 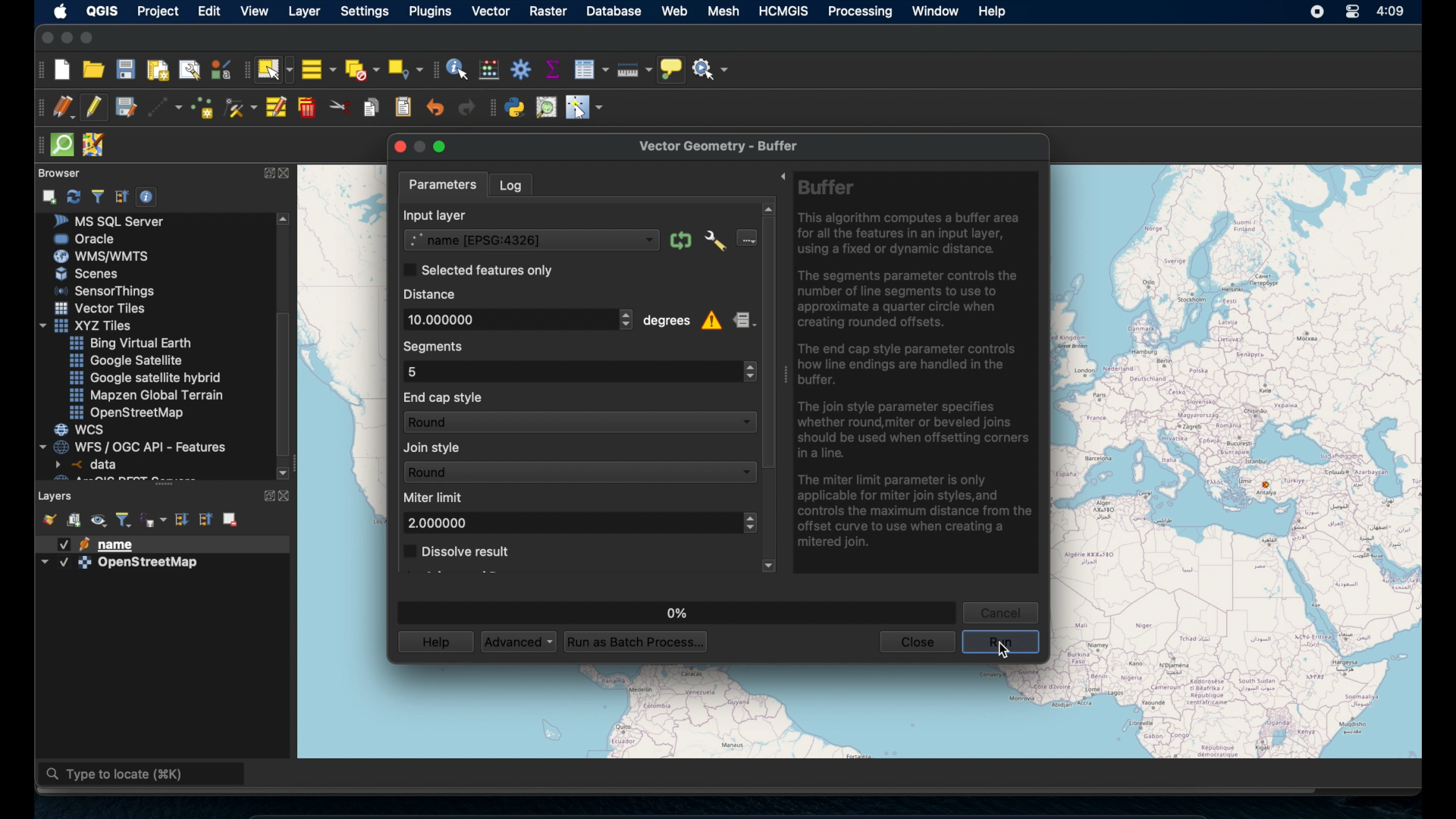 I want to click on round dropdown, so click(x=577, y=471).